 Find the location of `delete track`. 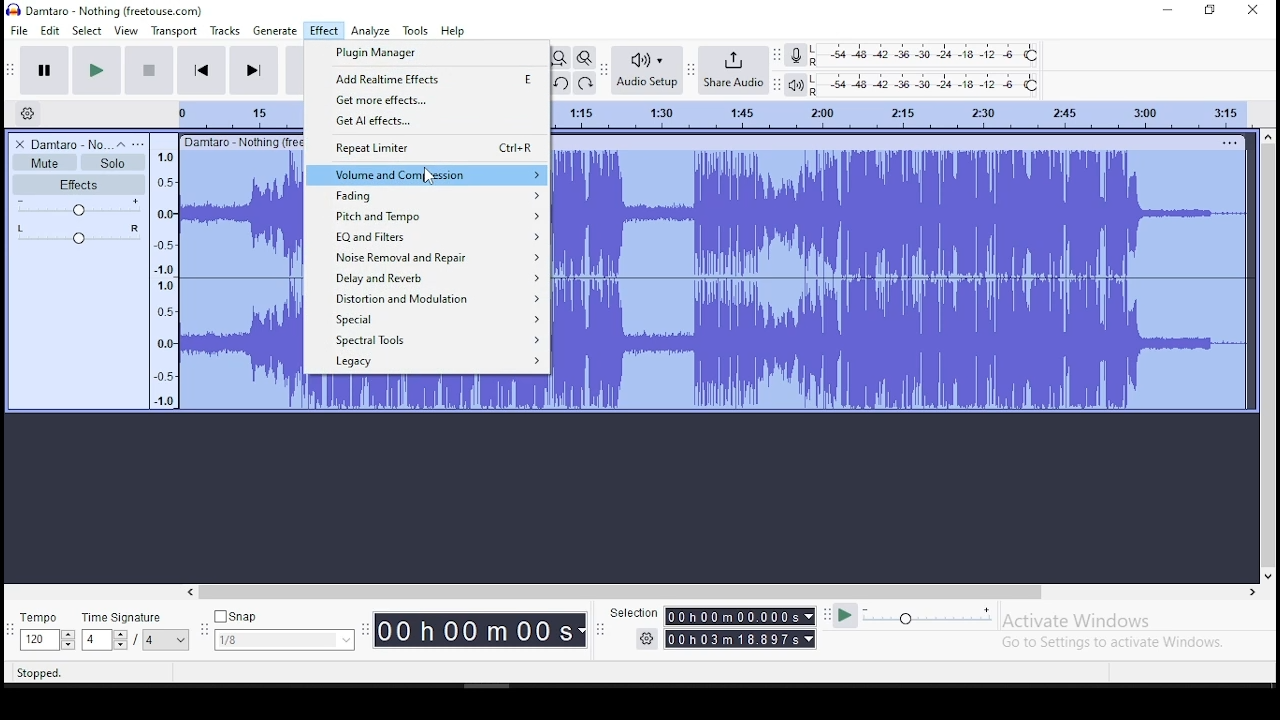

delete track is located at coordinates (16, 144).